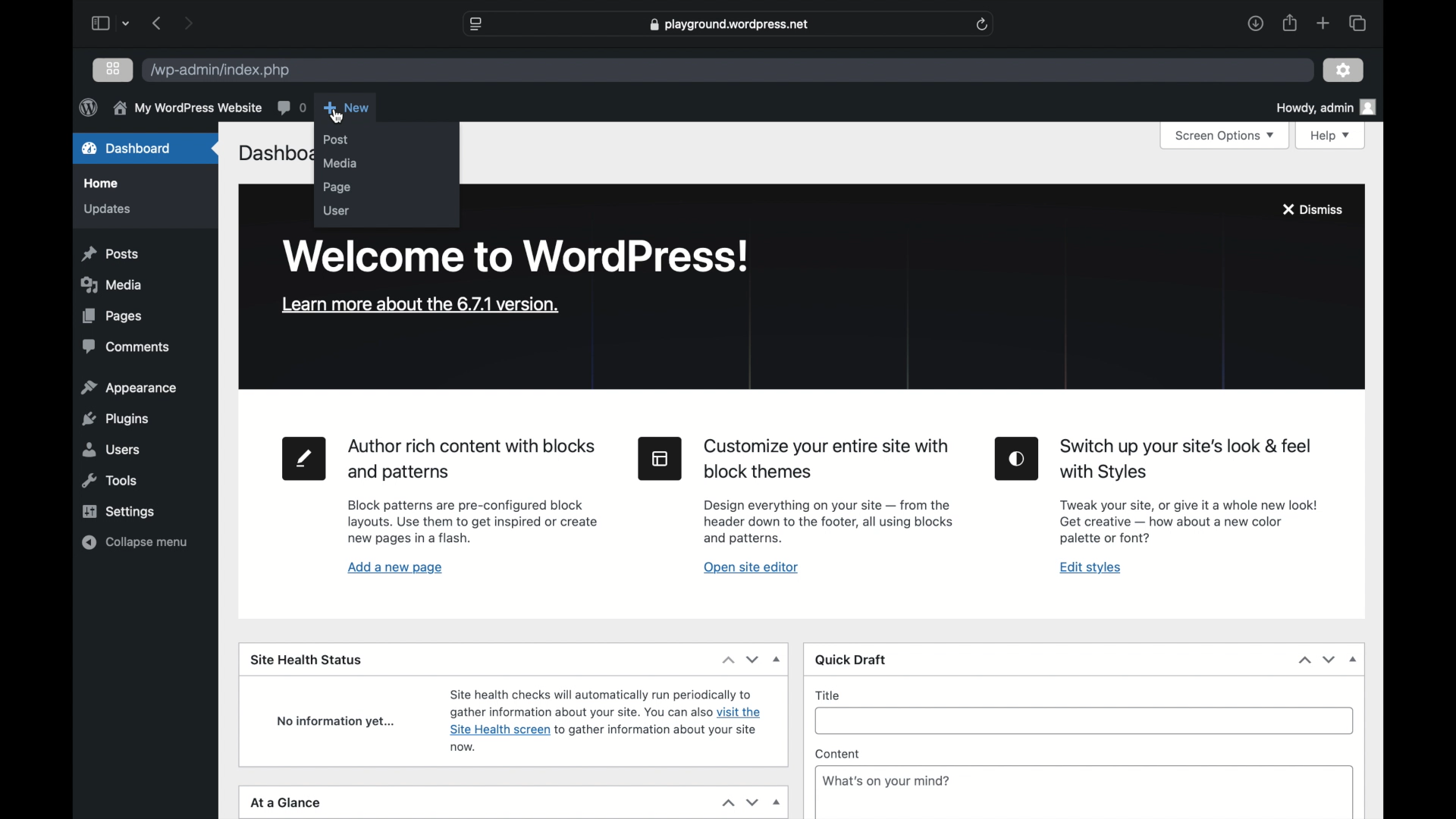 The image size is (1456, 819). What do you see at coordinates (1255, 23) in the screenshot?
I see `downloads` at bounding box center [1255, 23].